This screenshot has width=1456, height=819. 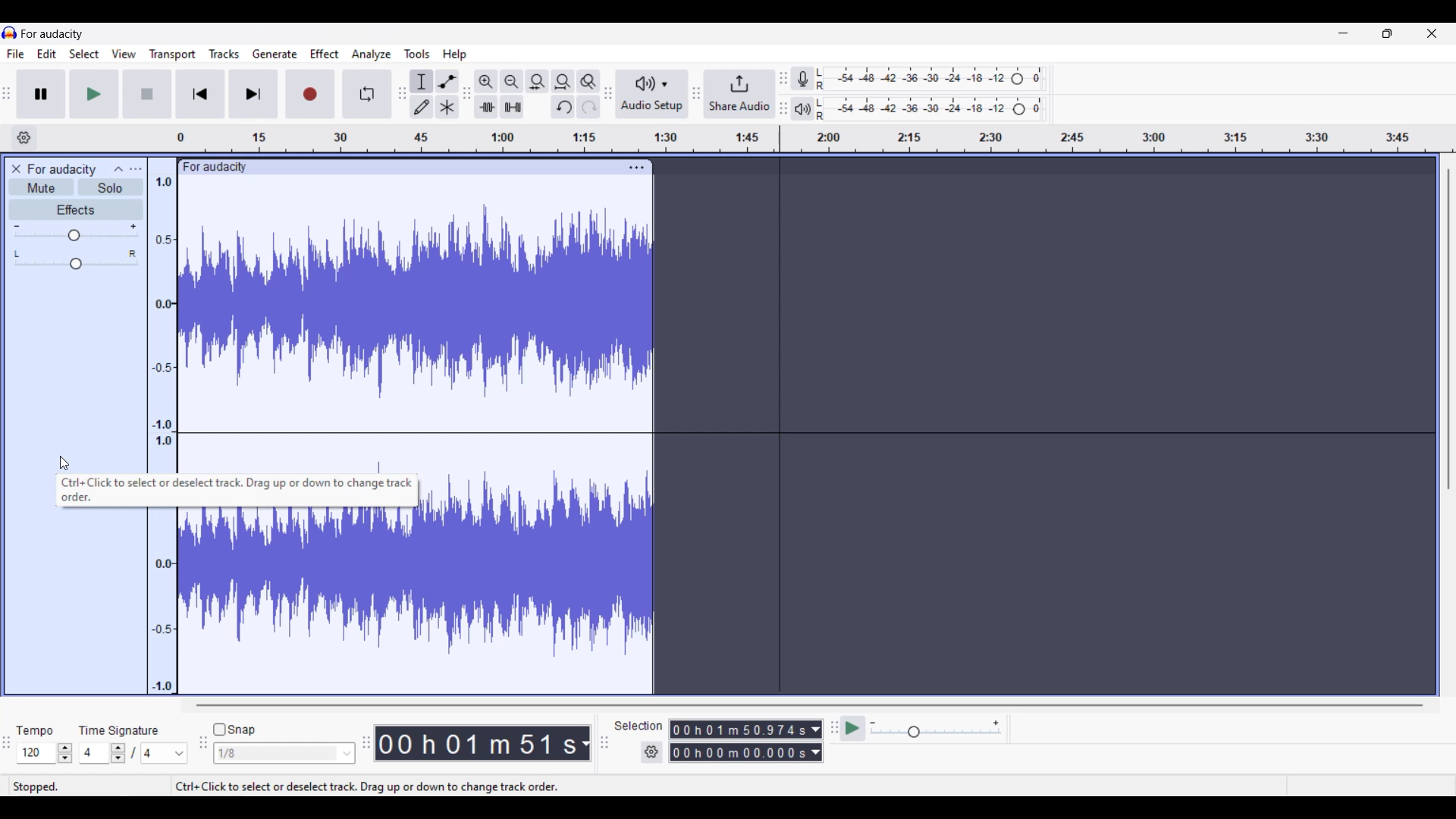 I want to click on Silence audio selection , so click(x=512, y=107).